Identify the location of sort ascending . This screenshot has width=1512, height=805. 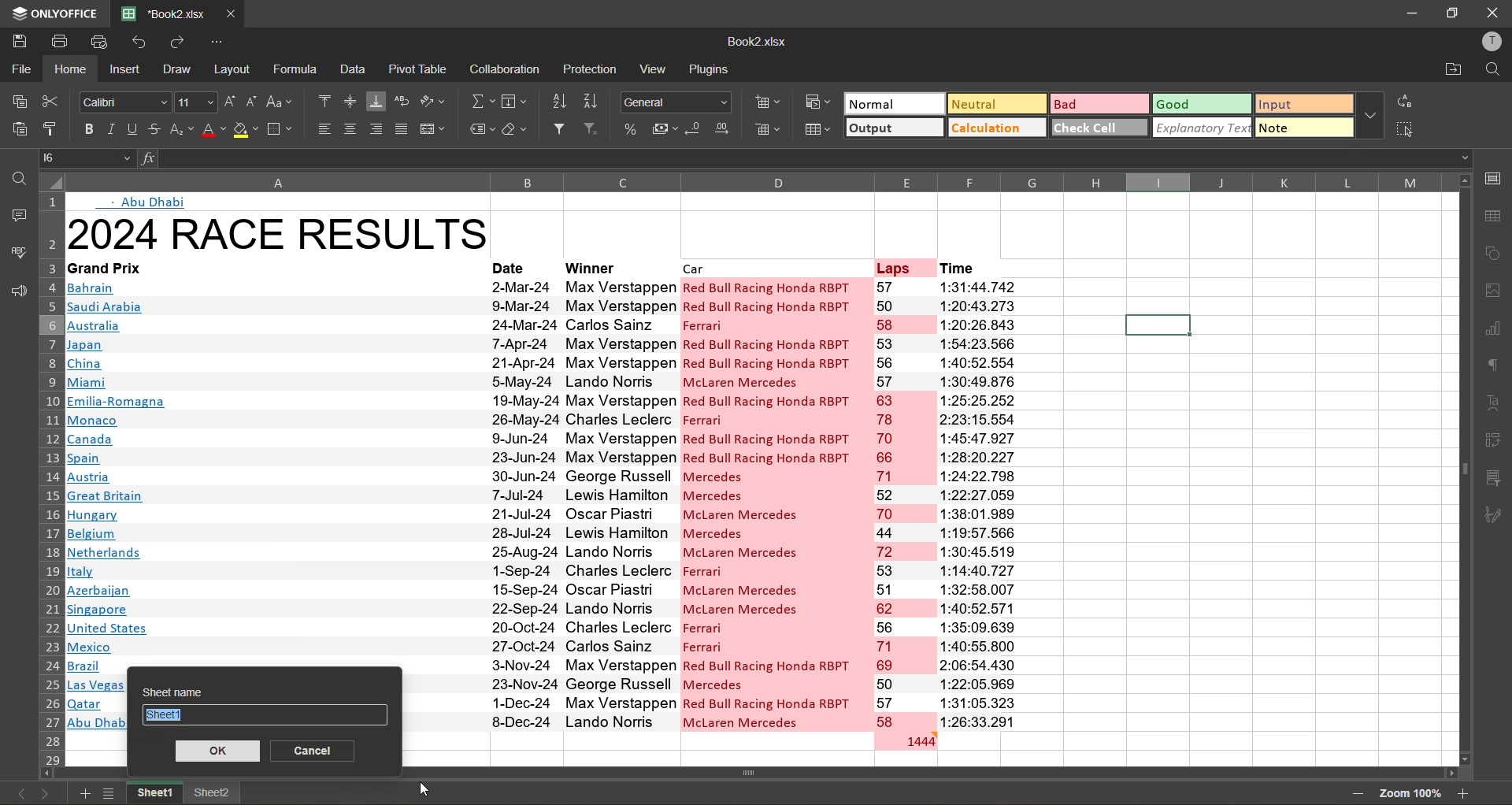
(564, 103).